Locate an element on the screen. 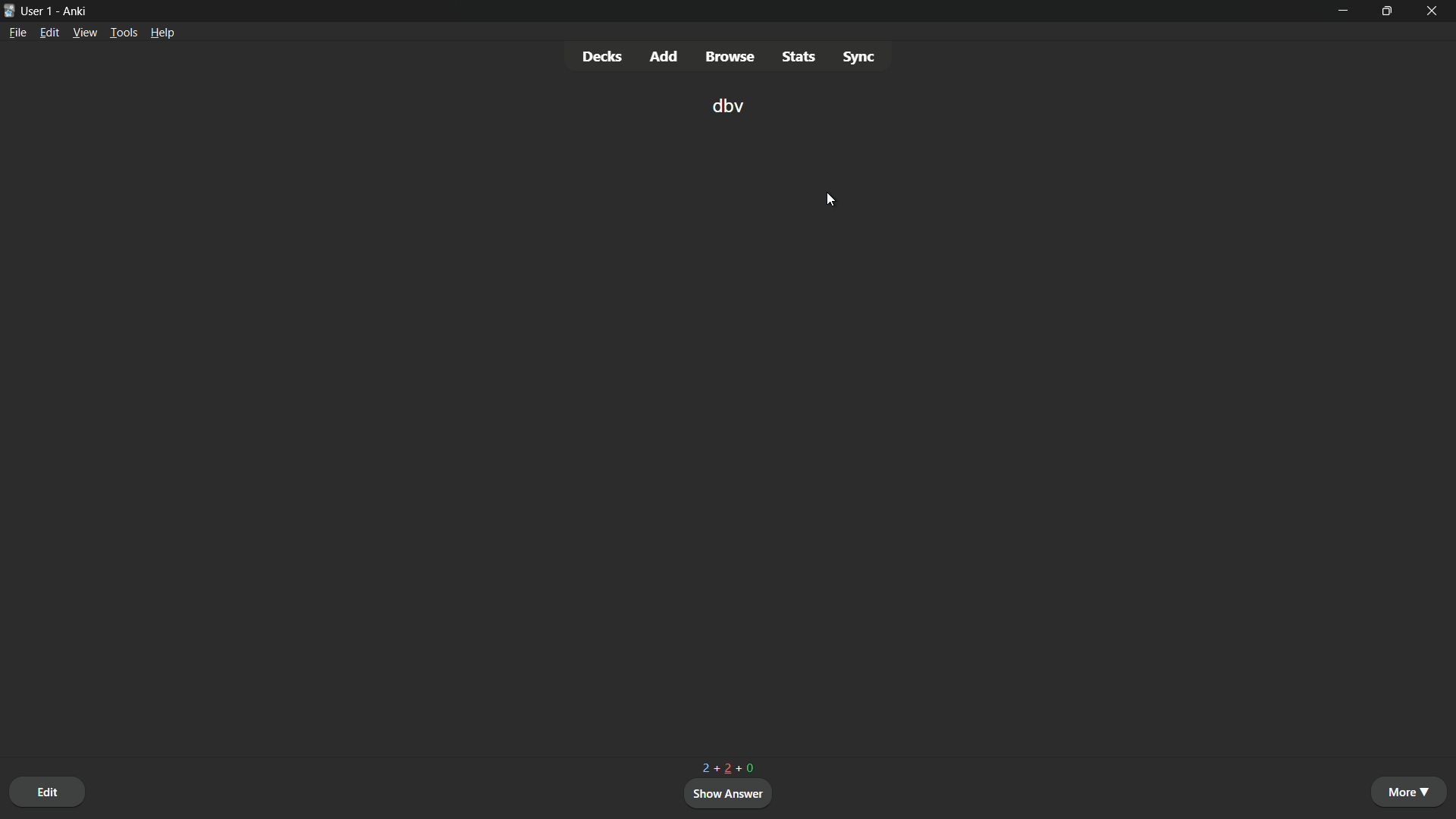 This screenshot has height=819, width=1456. tools is located at coordinates (124, 33).